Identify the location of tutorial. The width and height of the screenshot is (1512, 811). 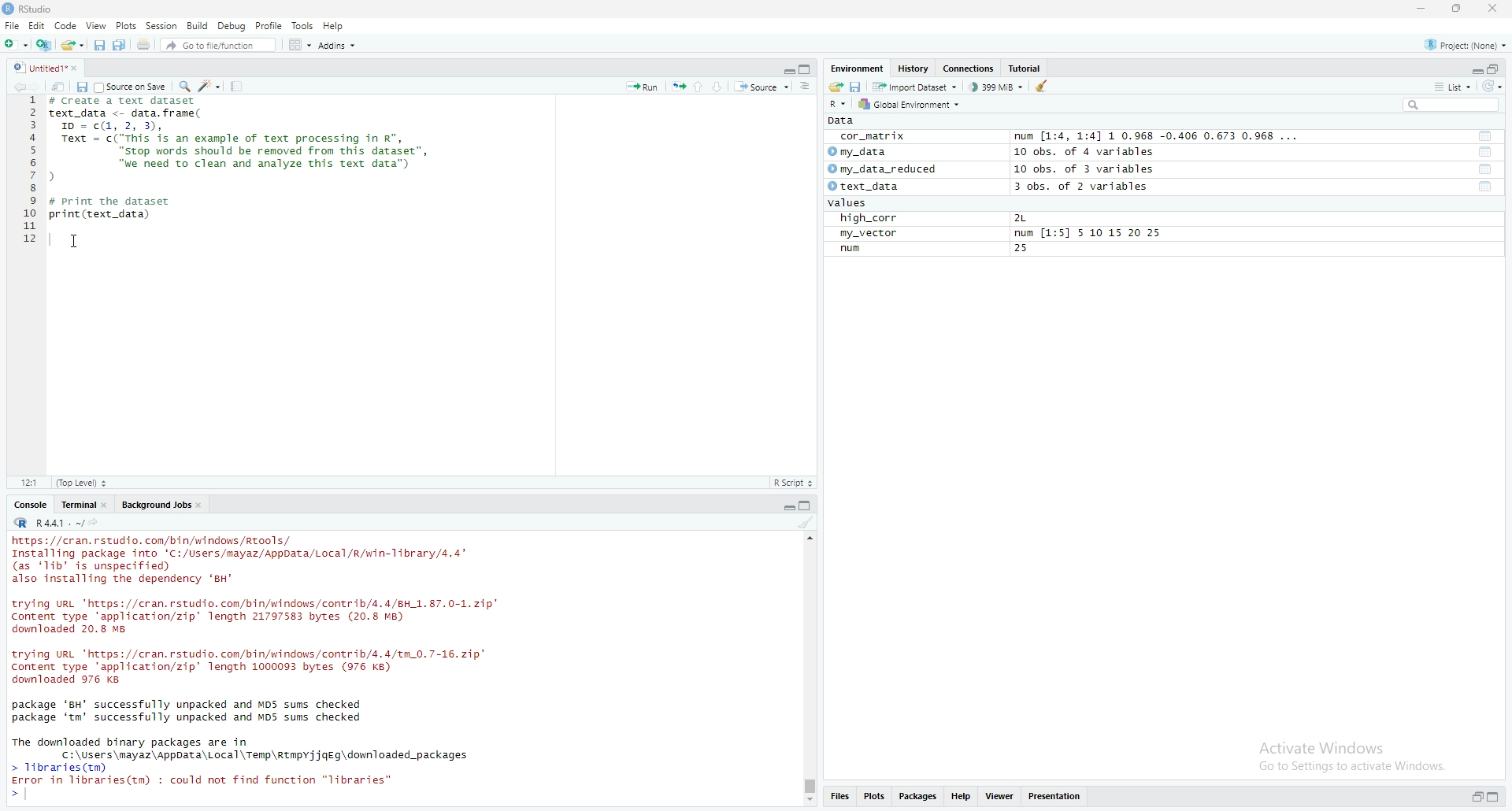
(1025, 69).